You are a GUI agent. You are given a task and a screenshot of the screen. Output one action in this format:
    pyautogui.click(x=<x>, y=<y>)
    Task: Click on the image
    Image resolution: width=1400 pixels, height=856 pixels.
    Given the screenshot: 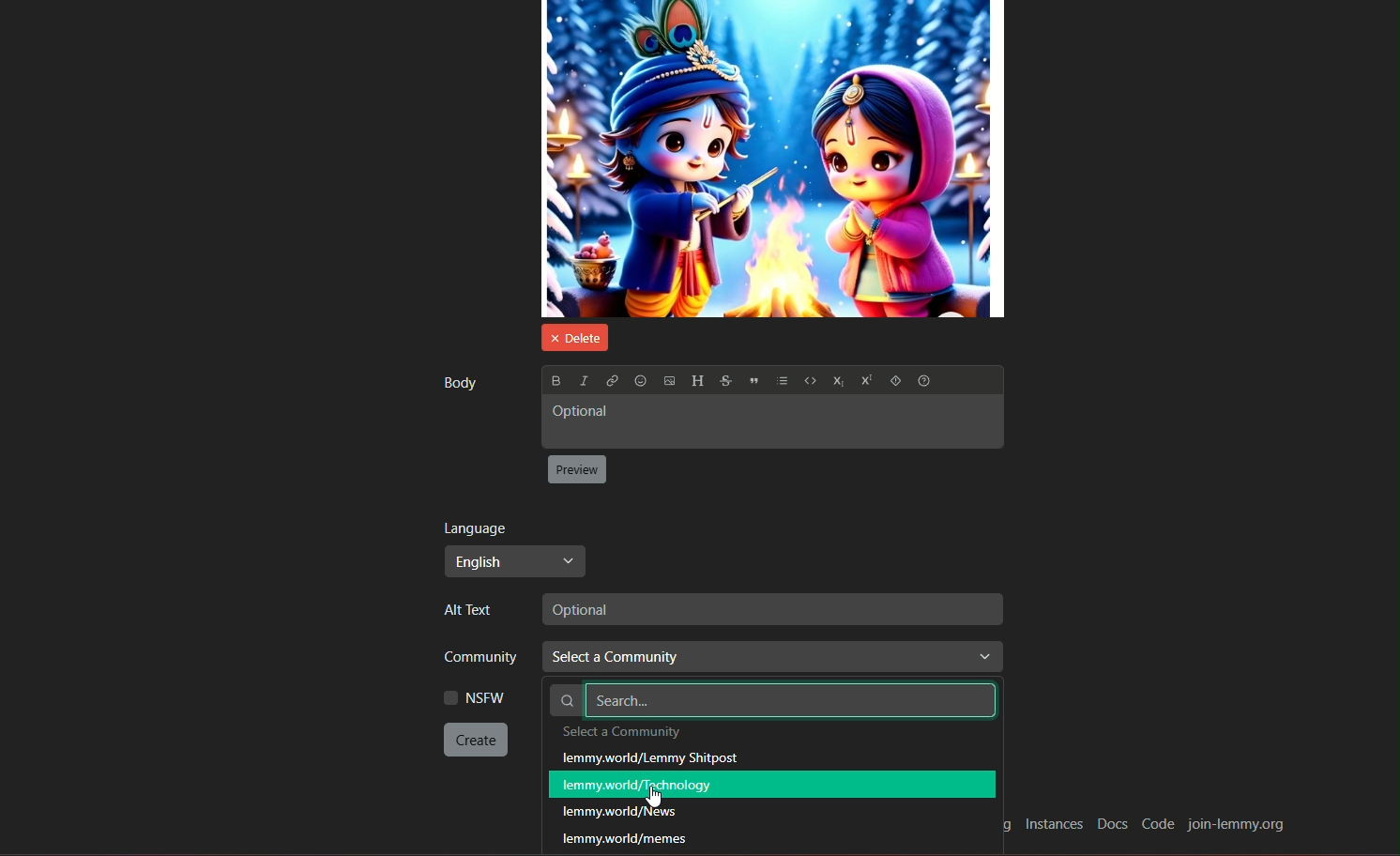 What is the action you would take?
    pyautogui.click(x=773, y=159)
    